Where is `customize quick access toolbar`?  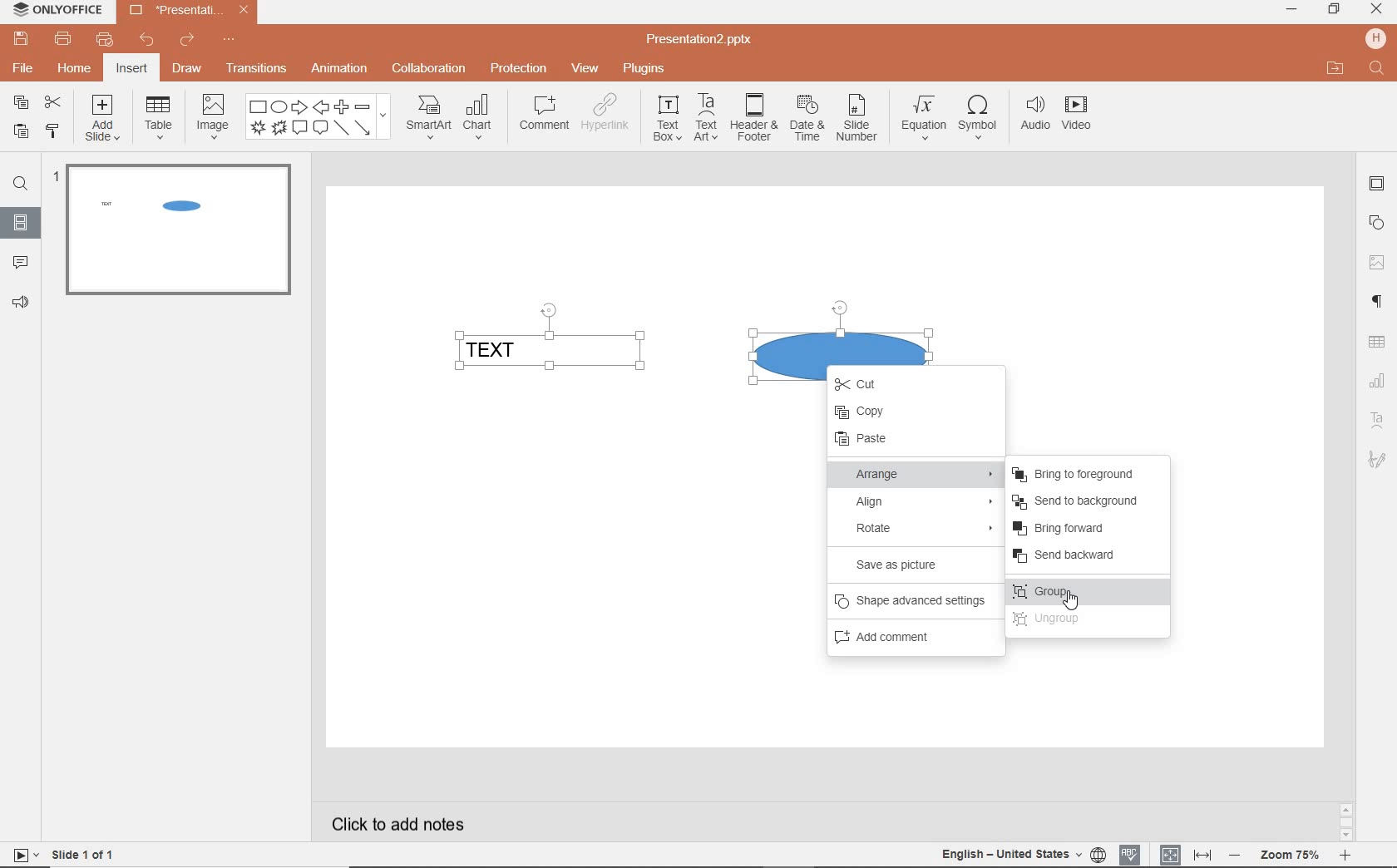 customize quick access toolbar is located at coordinates (228, 40).